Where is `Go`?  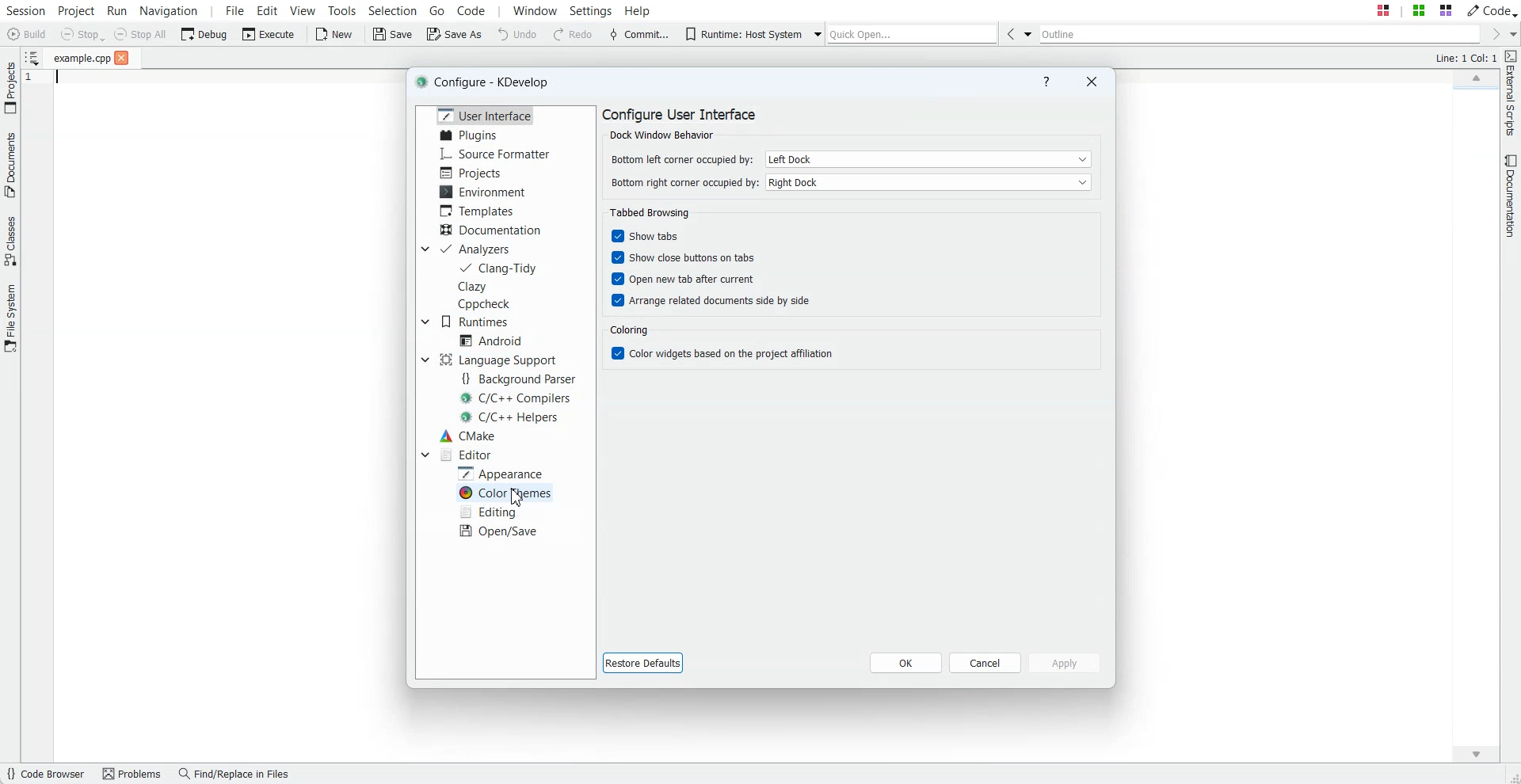
Go is located at coordinates (437, 10).